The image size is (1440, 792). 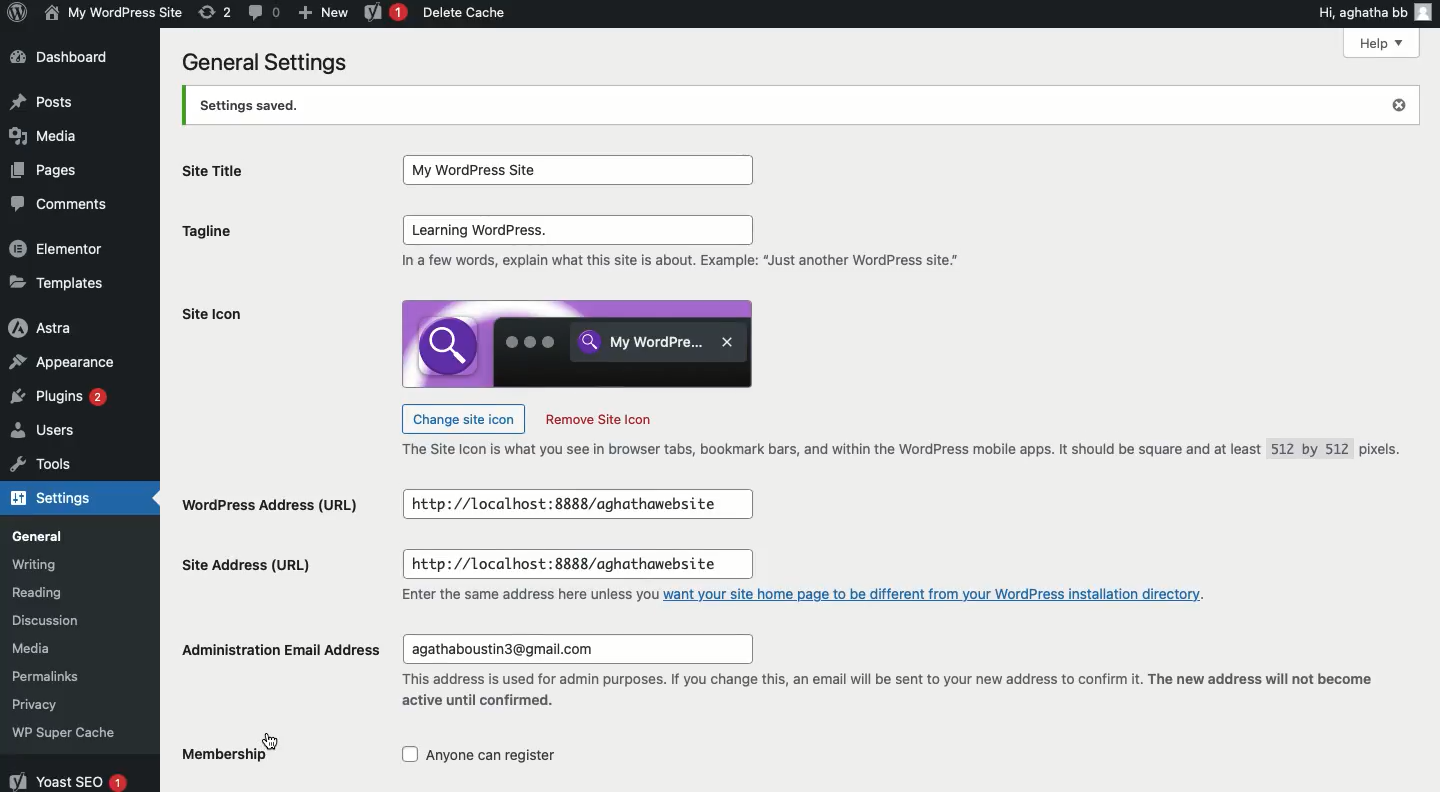 I want to click on Site icon, so click(x=254, y=312).